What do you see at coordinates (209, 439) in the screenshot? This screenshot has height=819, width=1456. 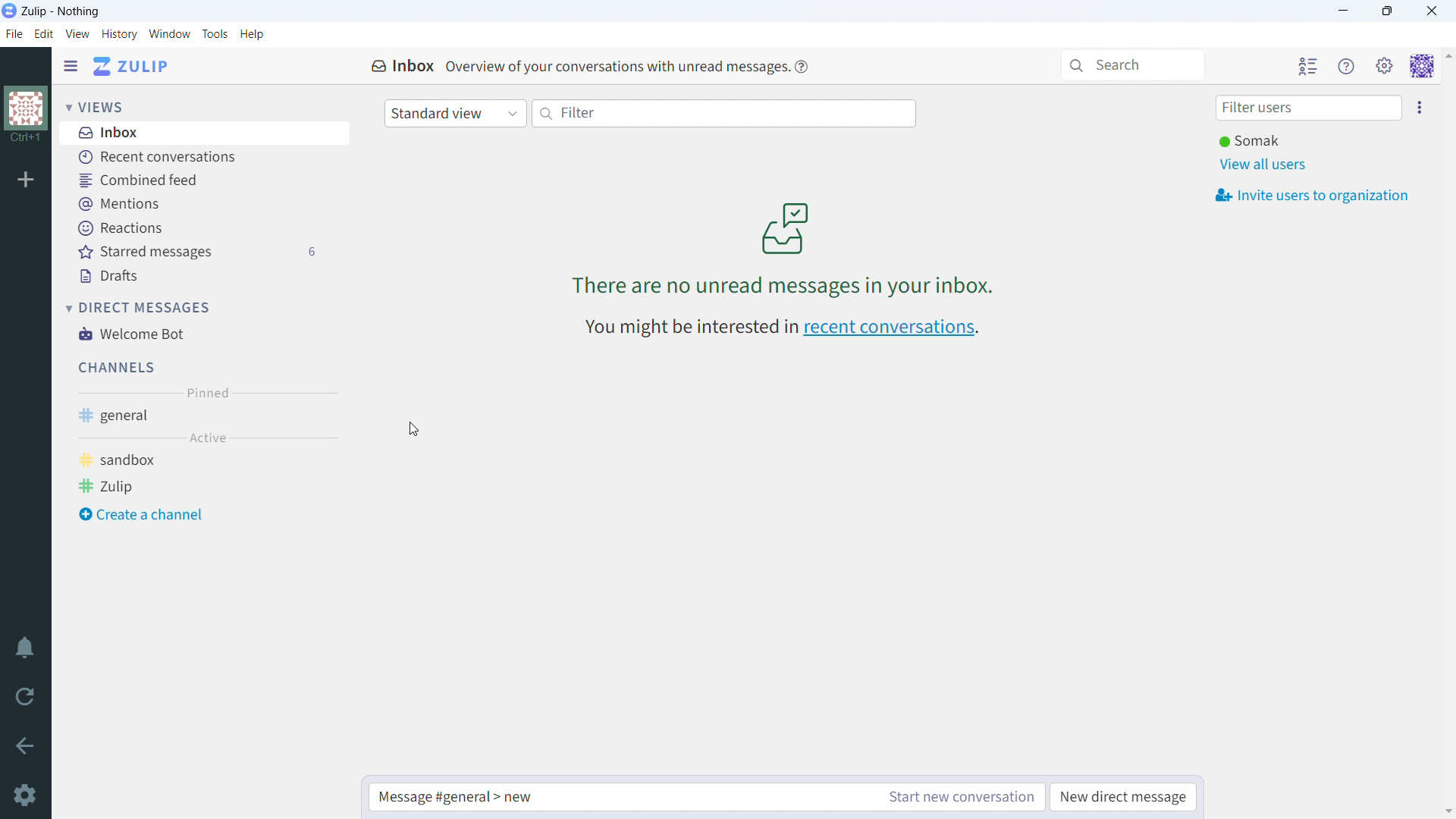 I see `active` at bounding box center [209, 439].